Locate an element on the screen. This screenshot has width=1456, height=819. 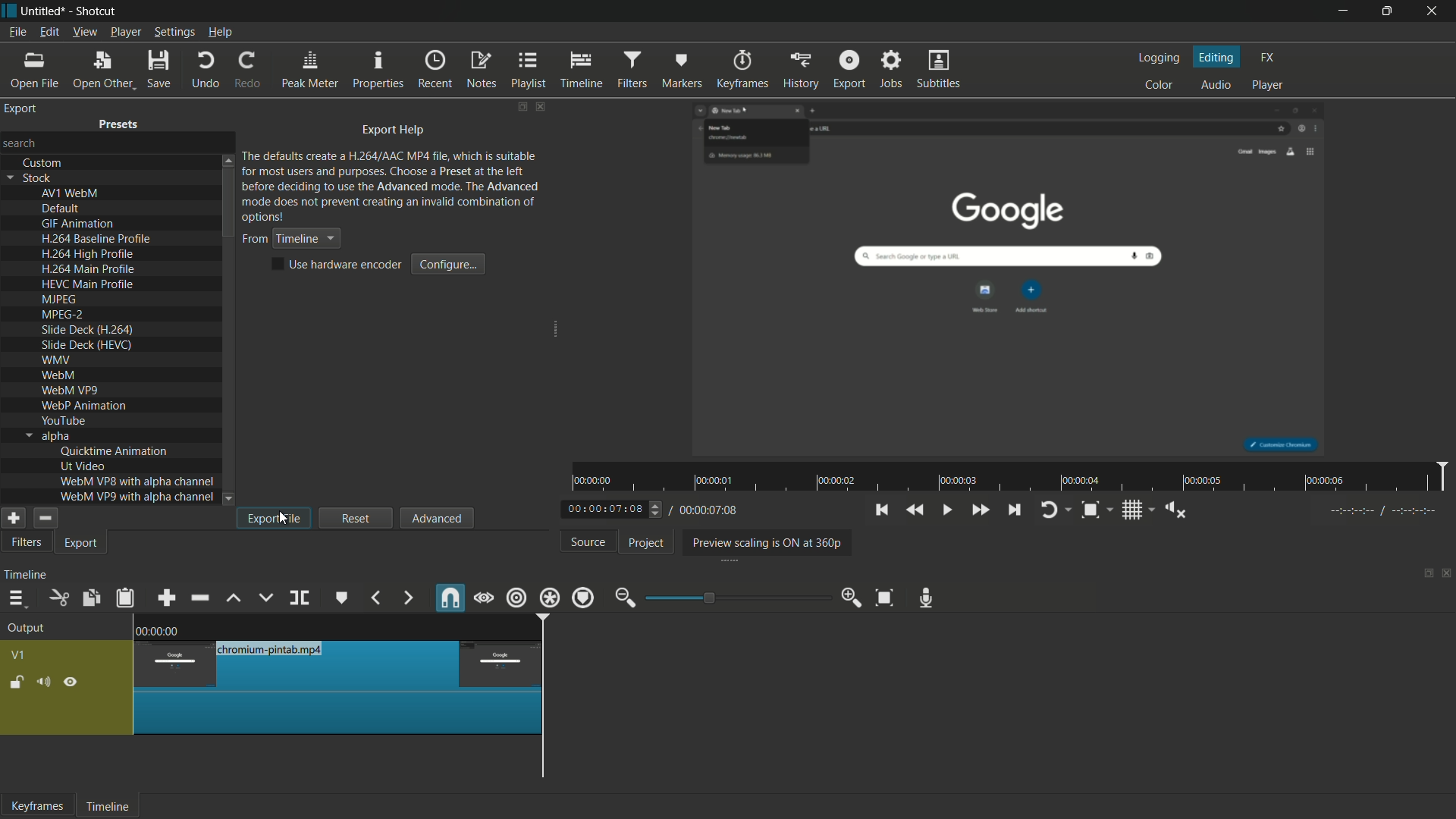
slide deck(h.264) is located at coordinates (88, 329).